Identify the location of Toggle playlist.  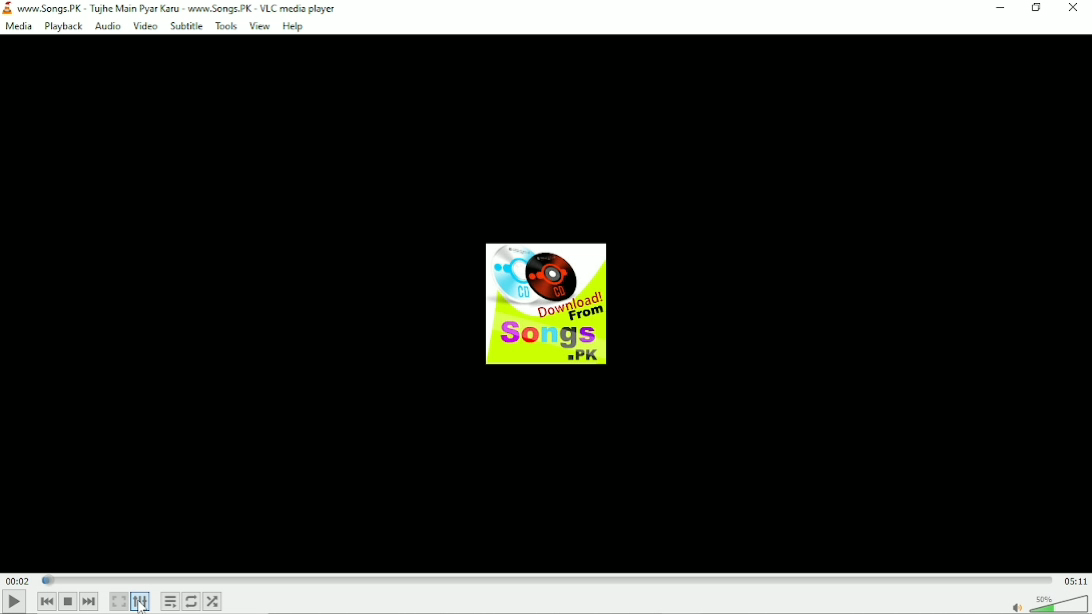
(170, 602).